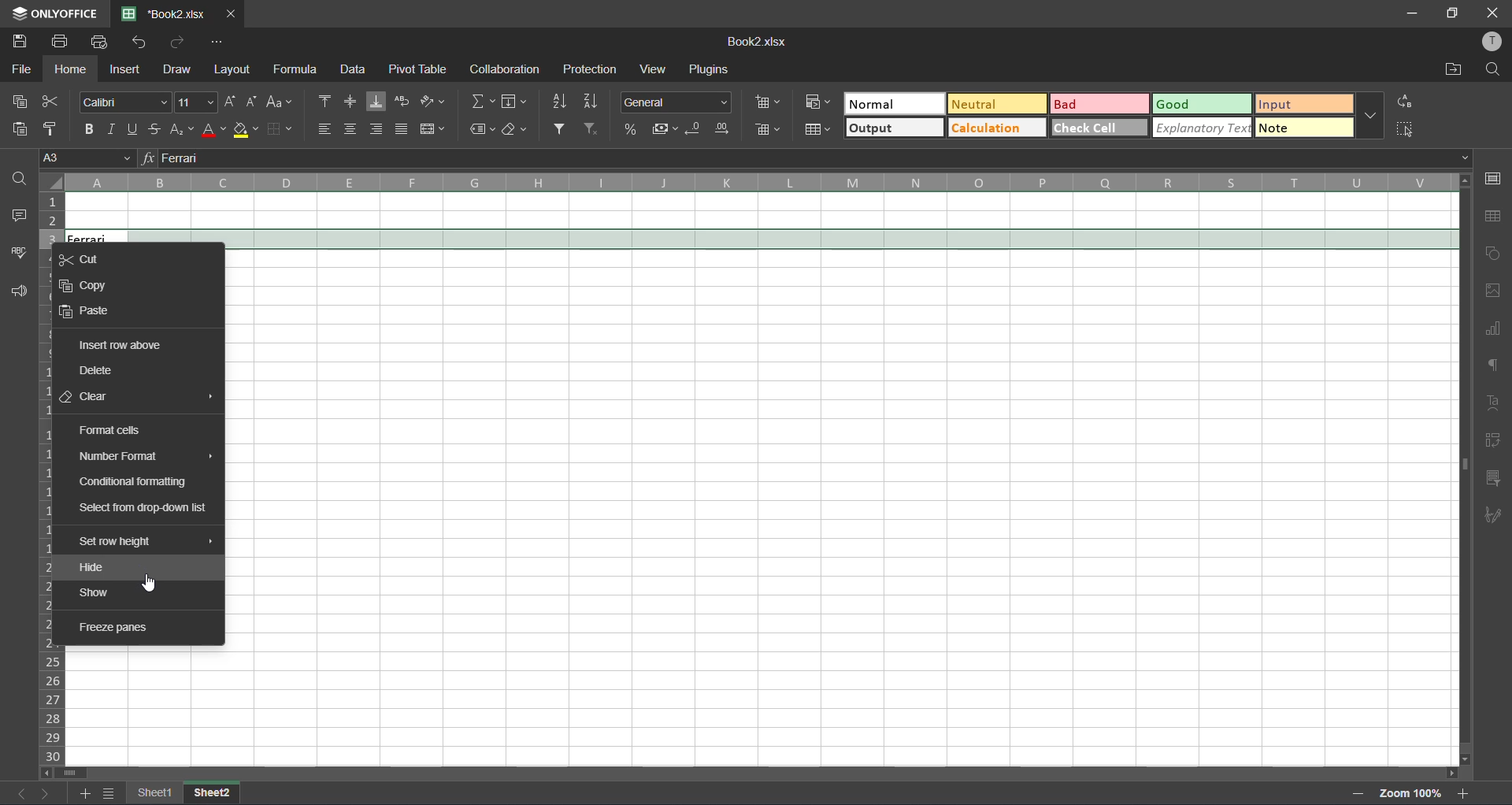 The image size is (1512, 805). I want to click on orientation, so click(432, 101).